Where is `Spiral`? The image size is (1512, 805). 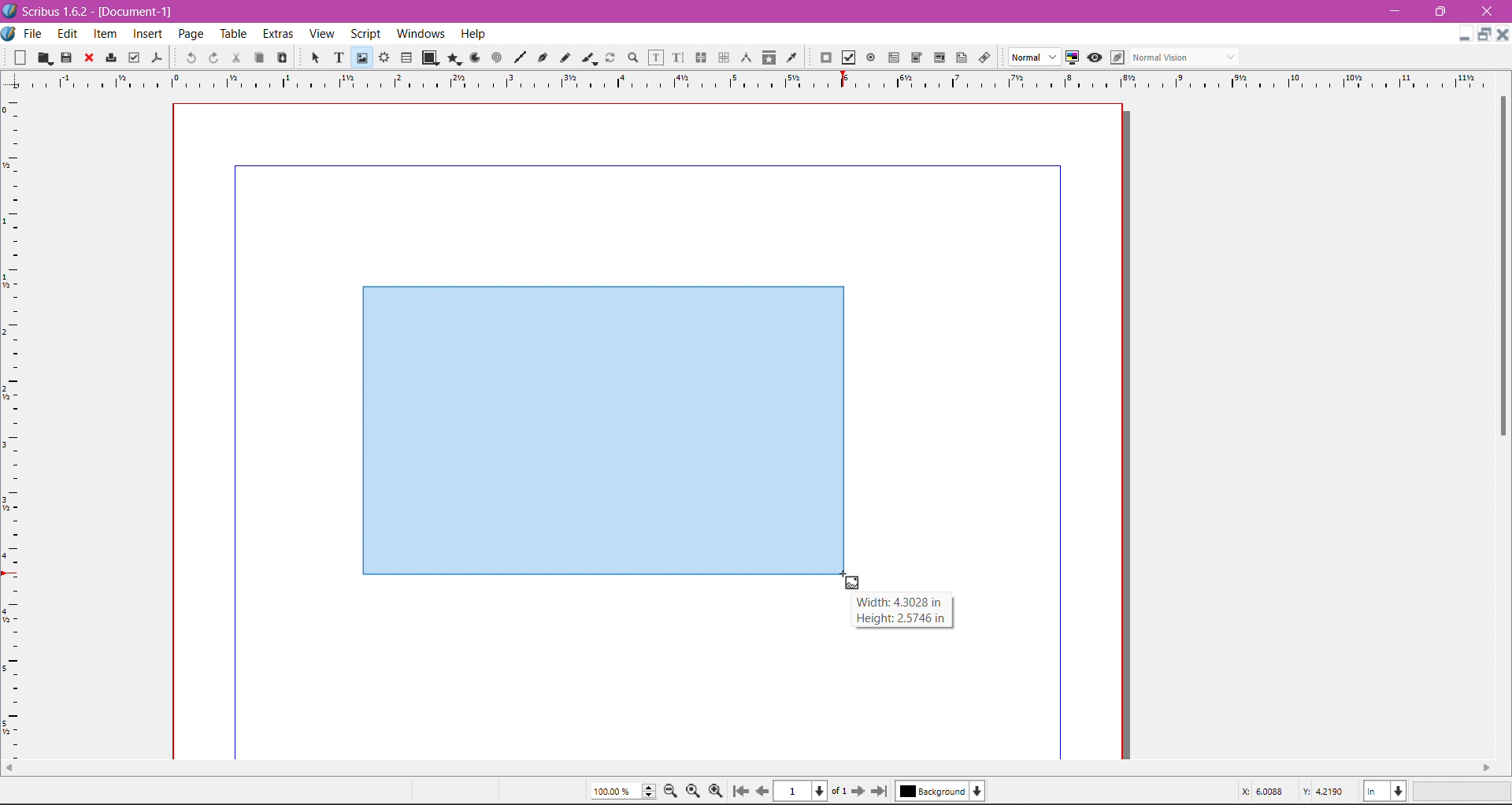 Spiral is located at coordinates (495, 58).